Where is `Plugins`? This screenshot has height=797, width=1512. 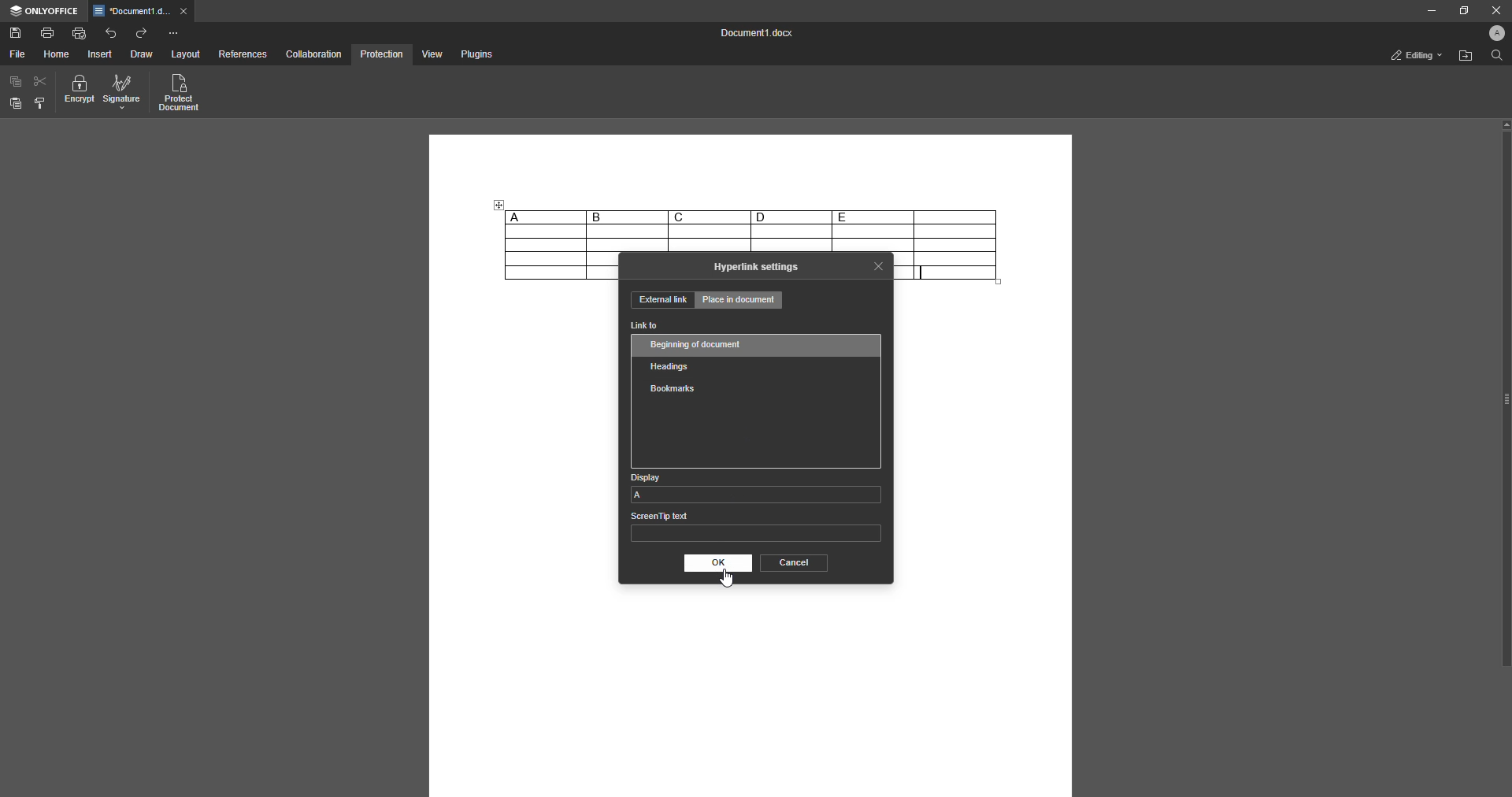
Plugins is located at coordinates (475, 55).